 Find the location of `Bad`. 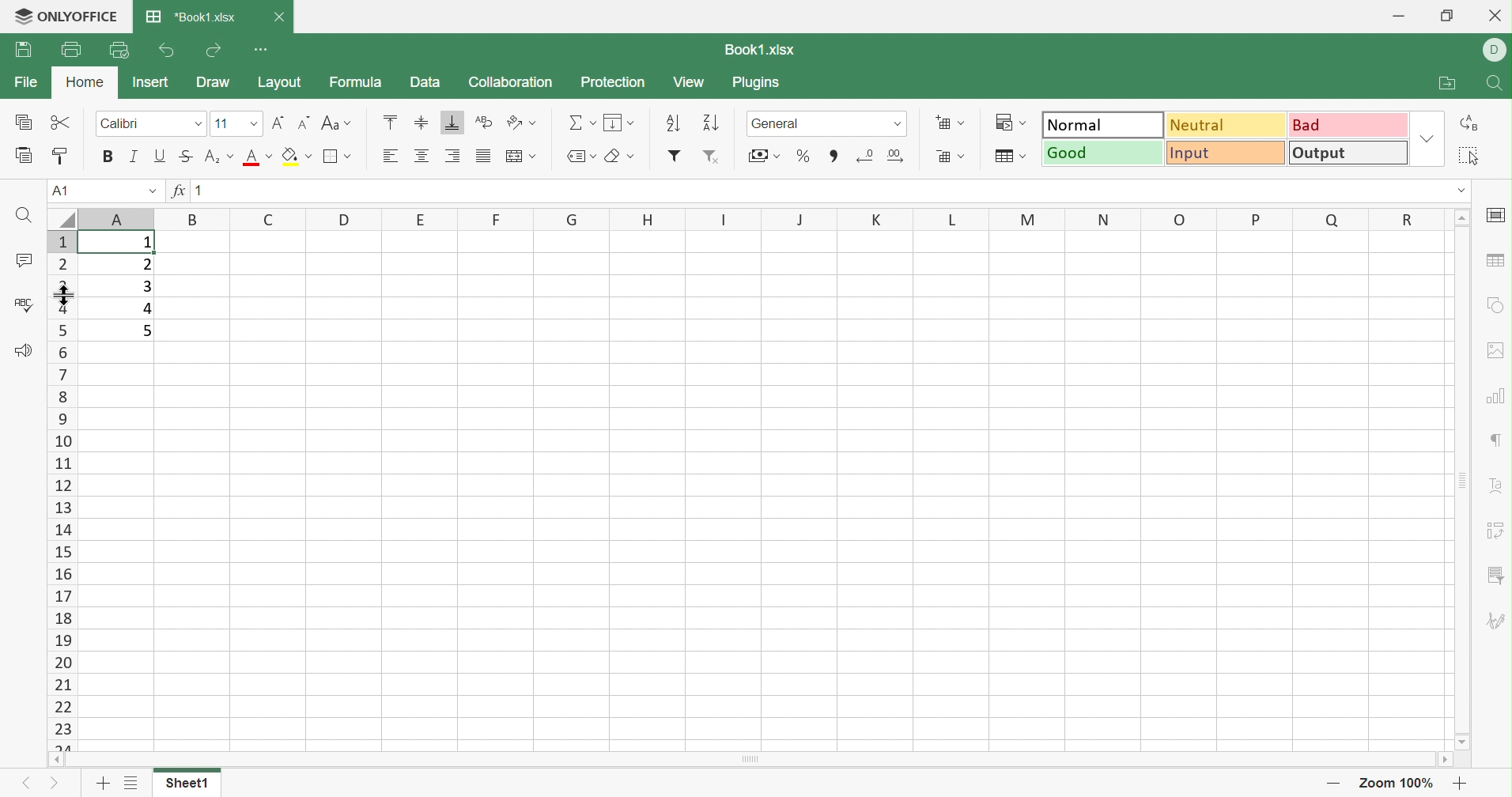

Bad is located at coordinates (1346, 126).